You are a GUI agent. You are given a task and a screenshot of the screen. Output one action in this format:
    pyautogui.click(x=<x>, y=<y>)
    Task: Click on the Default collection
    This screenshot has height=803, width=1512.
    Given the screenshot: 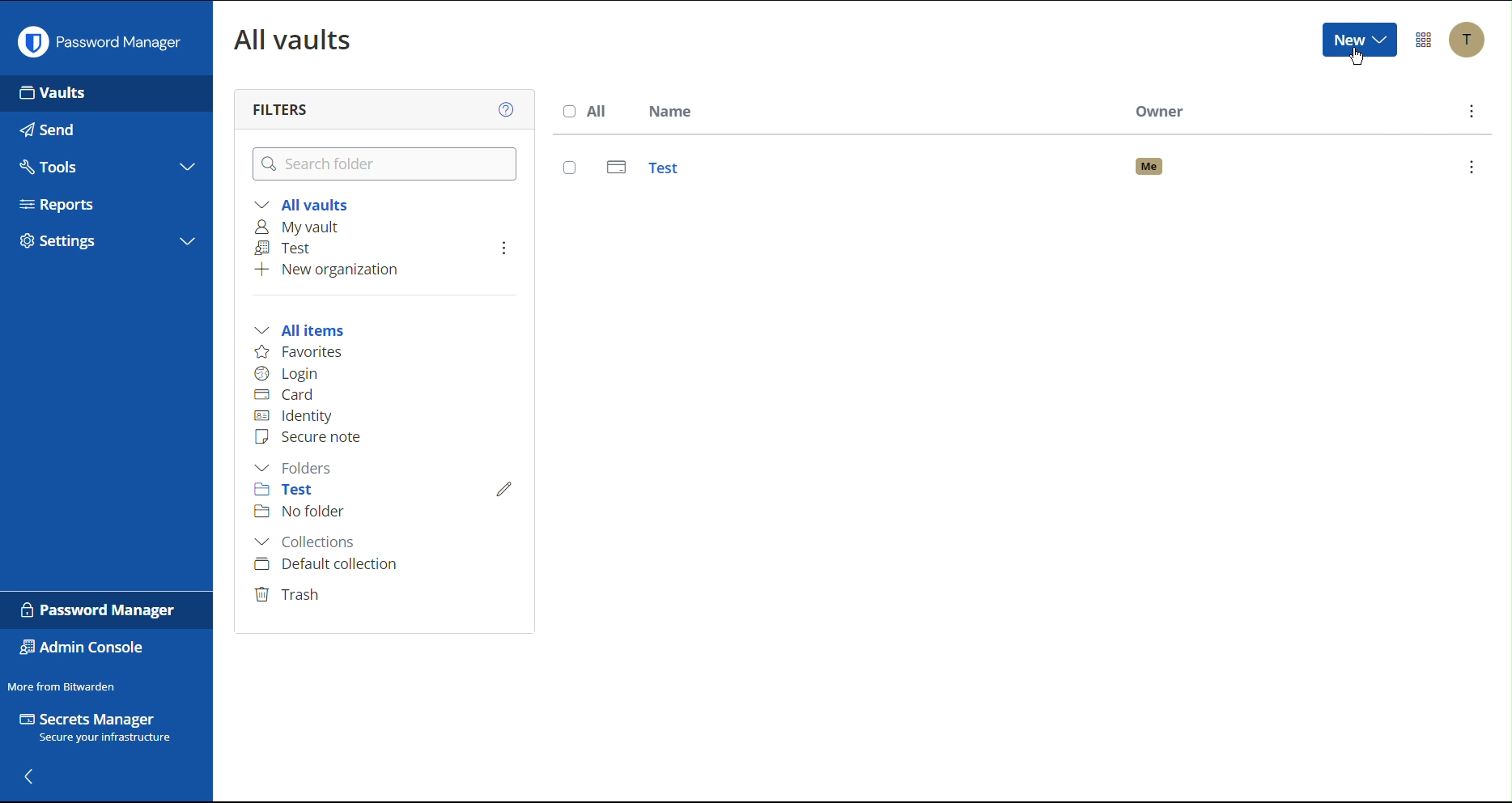 What is the action you would take?
    pyautogui.click(x=325, y=564)
    